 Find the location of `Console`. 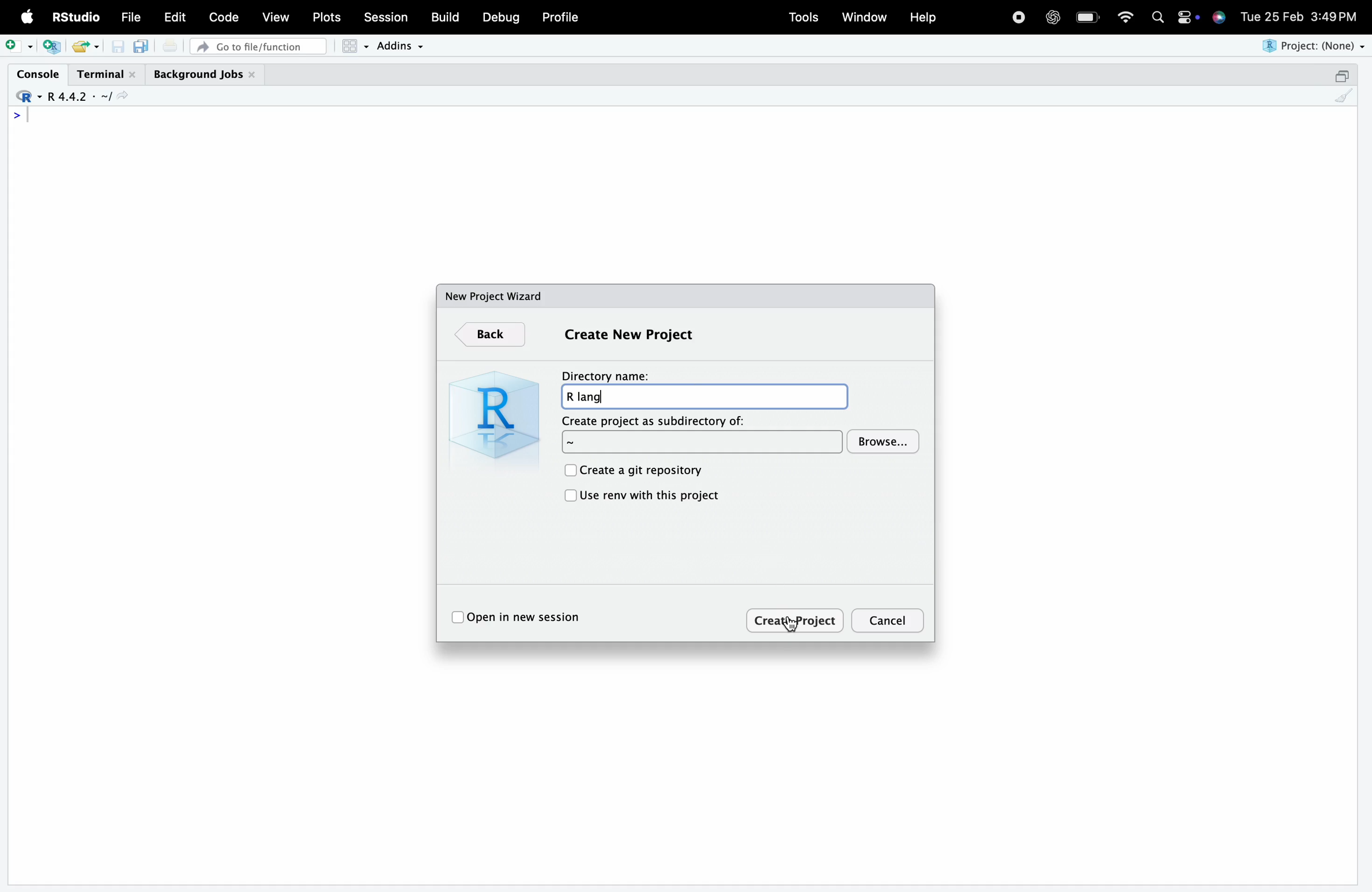

Console is located at coordinates (37, 74).